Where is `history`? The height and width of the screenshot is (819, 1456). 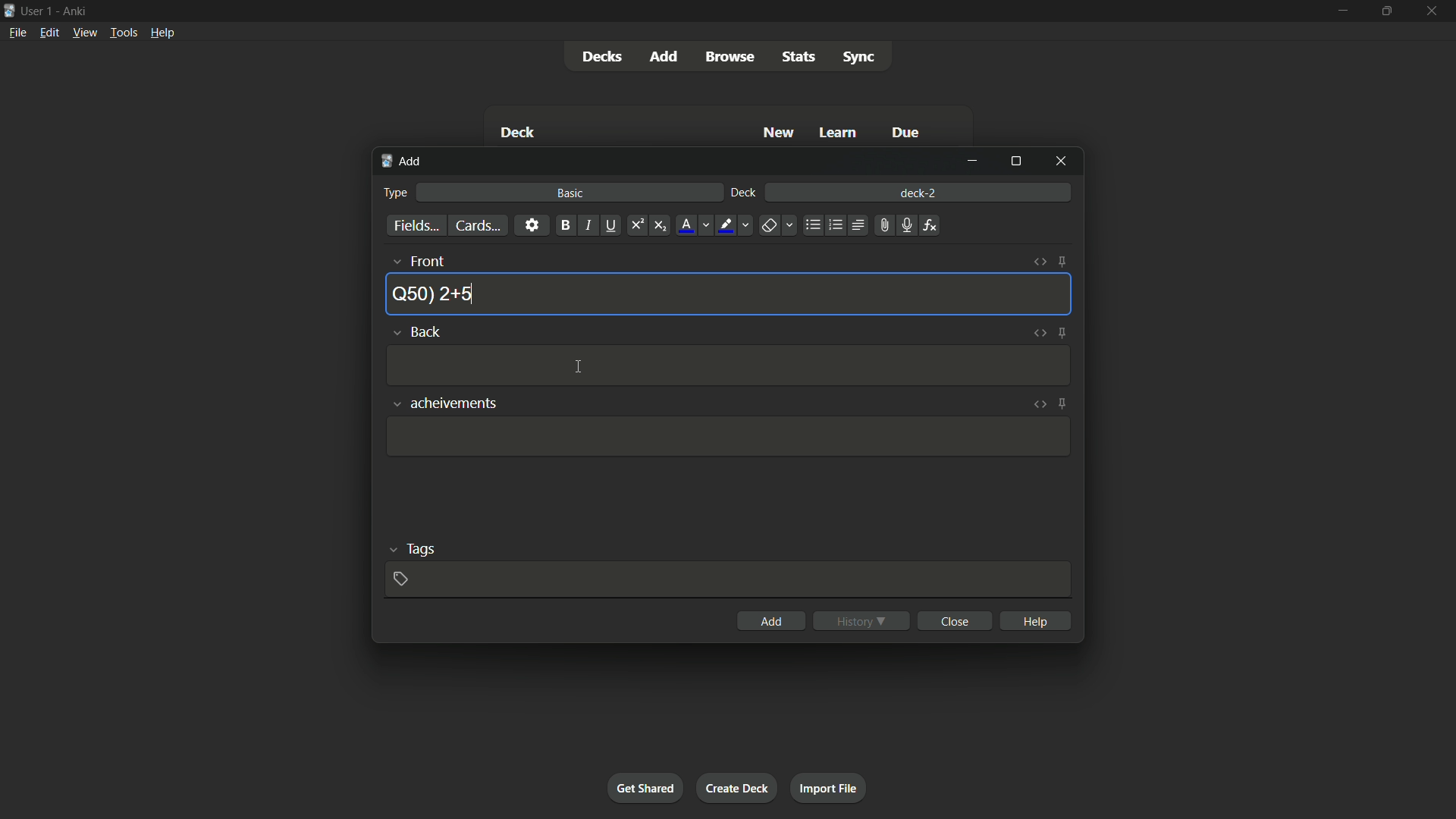
history is located at coordinates (859, 621).